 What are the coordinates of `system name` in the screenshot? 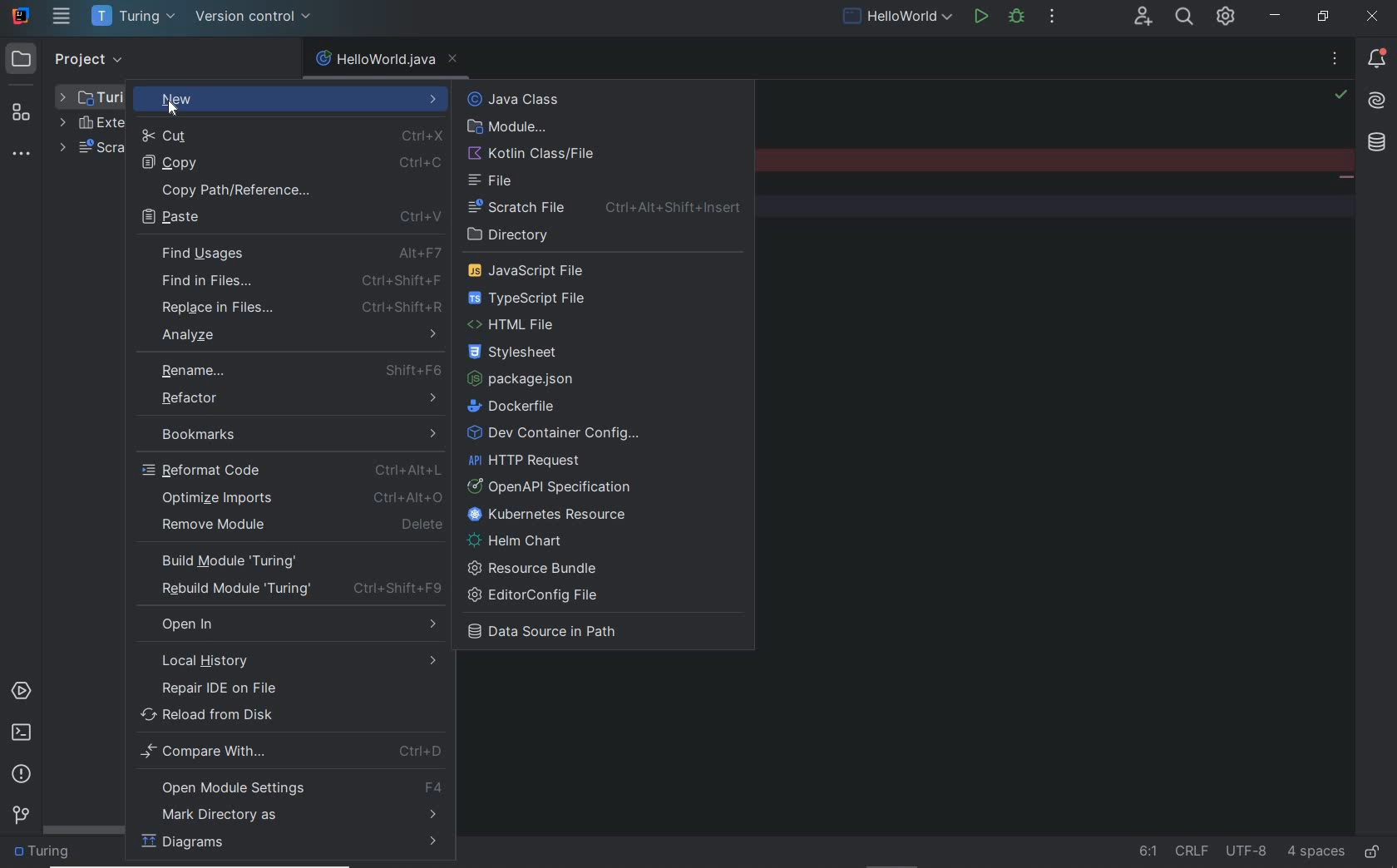 It's located at (21, 16).